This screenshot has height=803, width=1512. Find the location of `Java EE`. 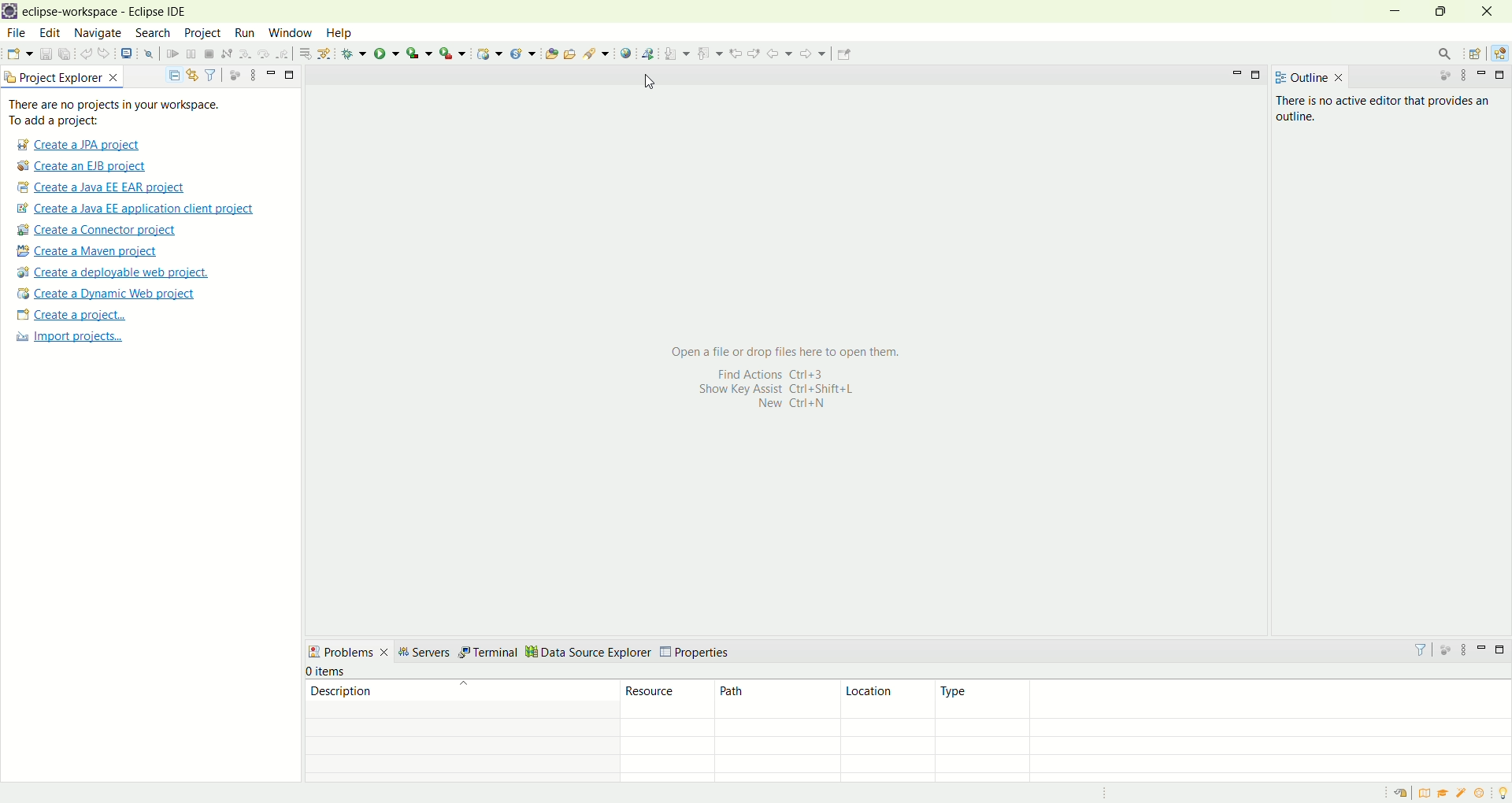

Java EE is located at coordinates (1503, 54).